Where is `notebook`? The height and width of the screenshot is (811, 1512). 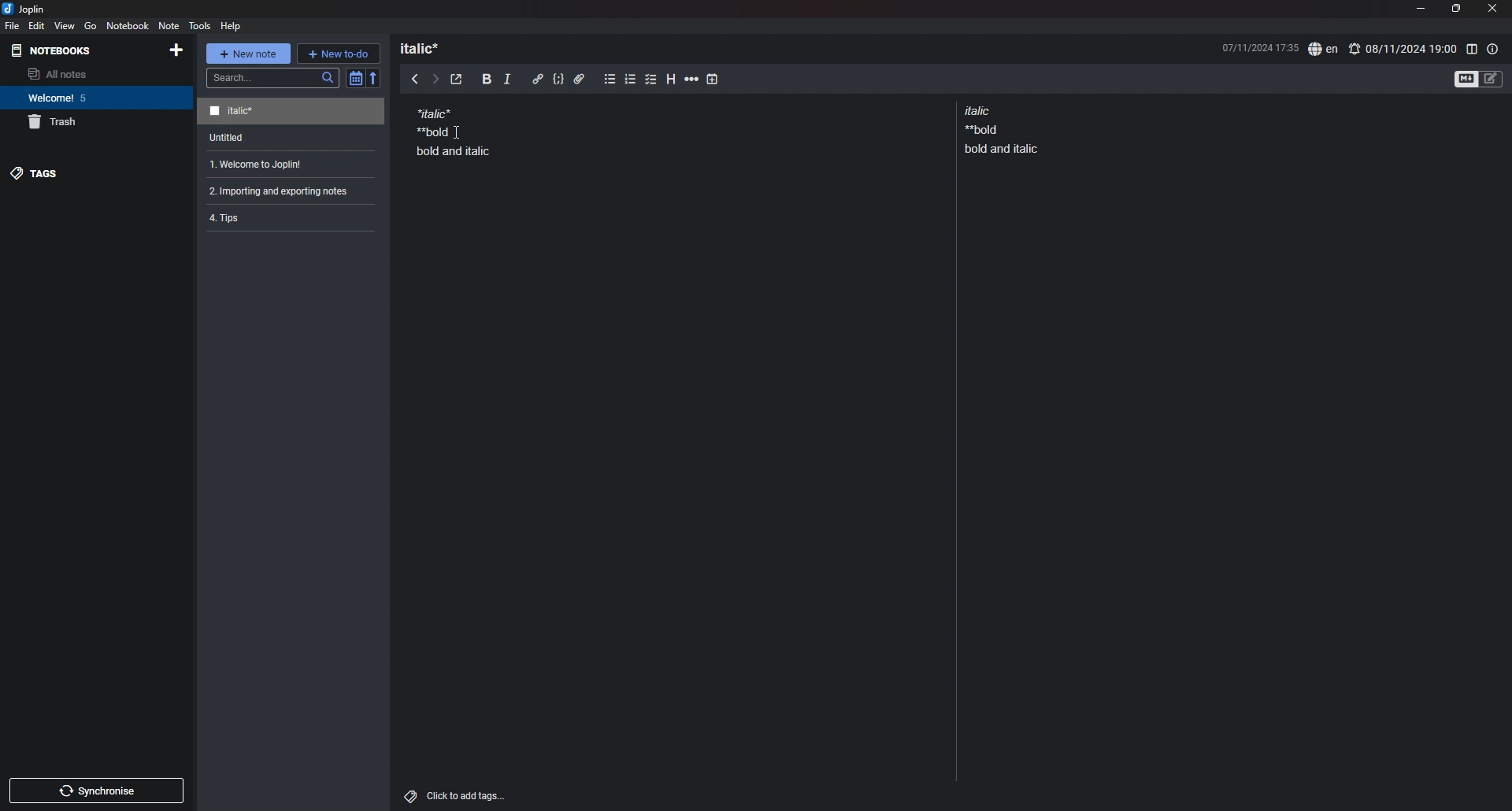
notebook is located at coordinates (94, 98).